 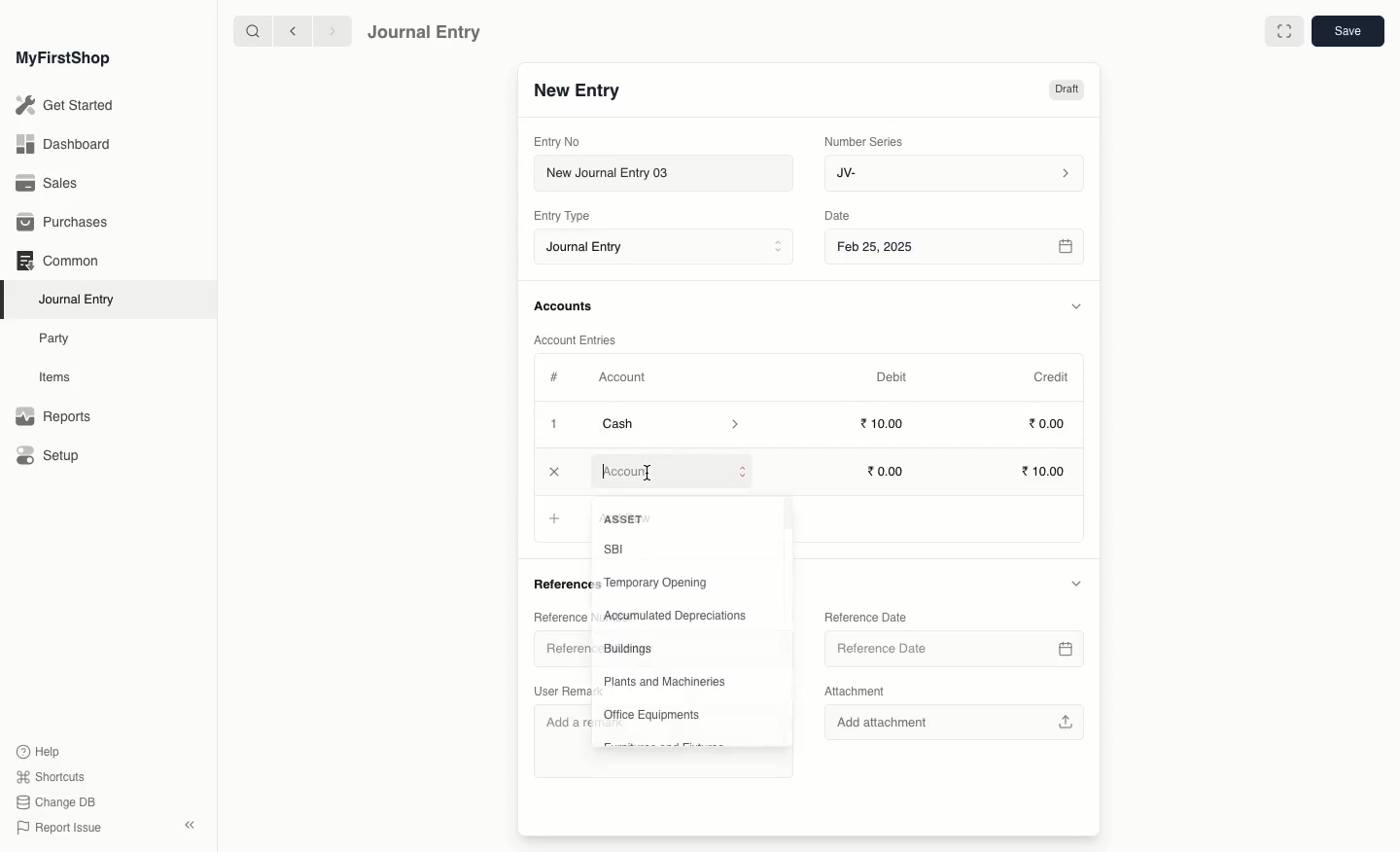 I want to click on Journal Entry, so click(x=82, y=299).